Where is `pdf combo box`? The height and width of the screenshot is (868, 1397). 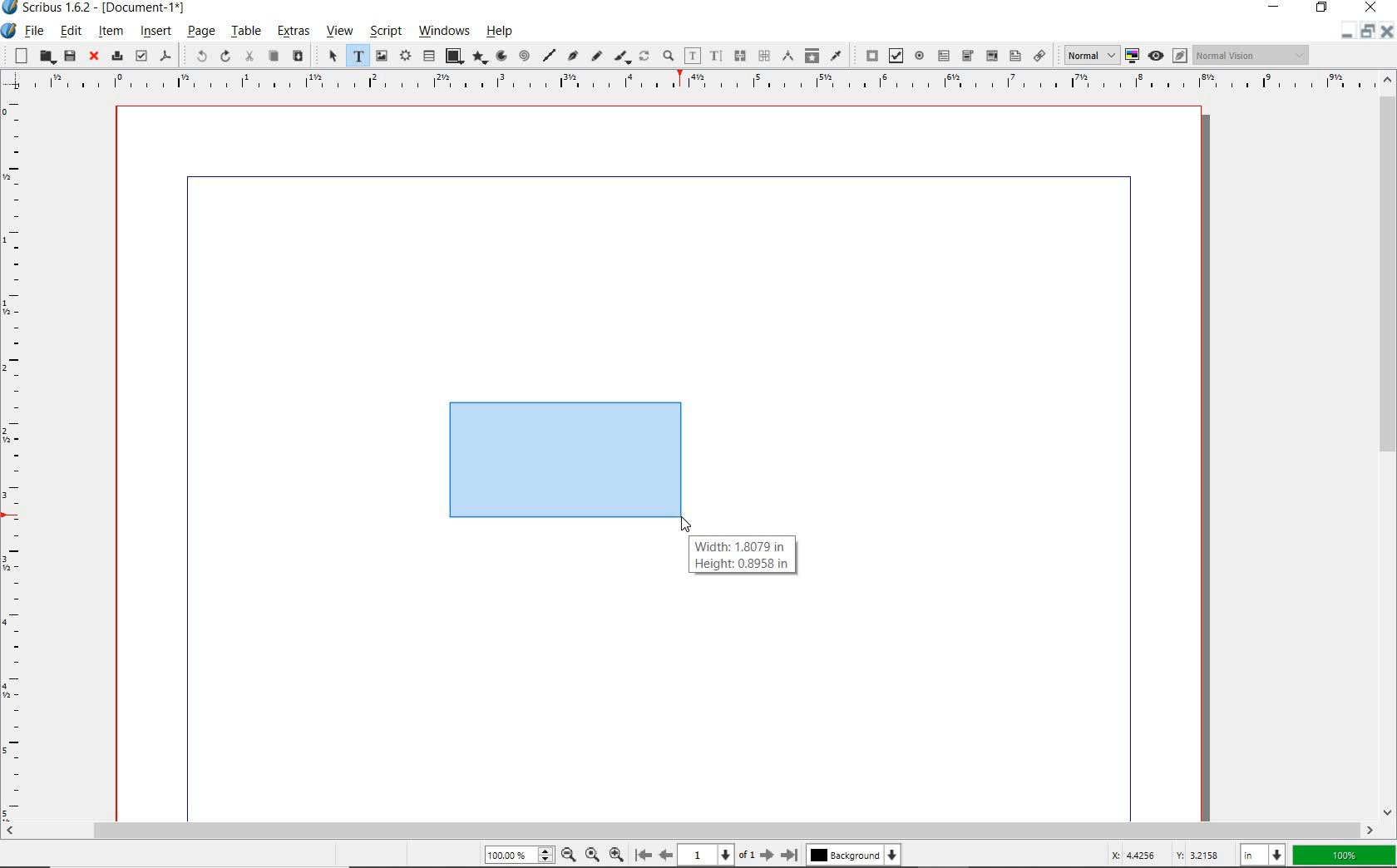 pdf combo box is located at coordinates (990, 56).